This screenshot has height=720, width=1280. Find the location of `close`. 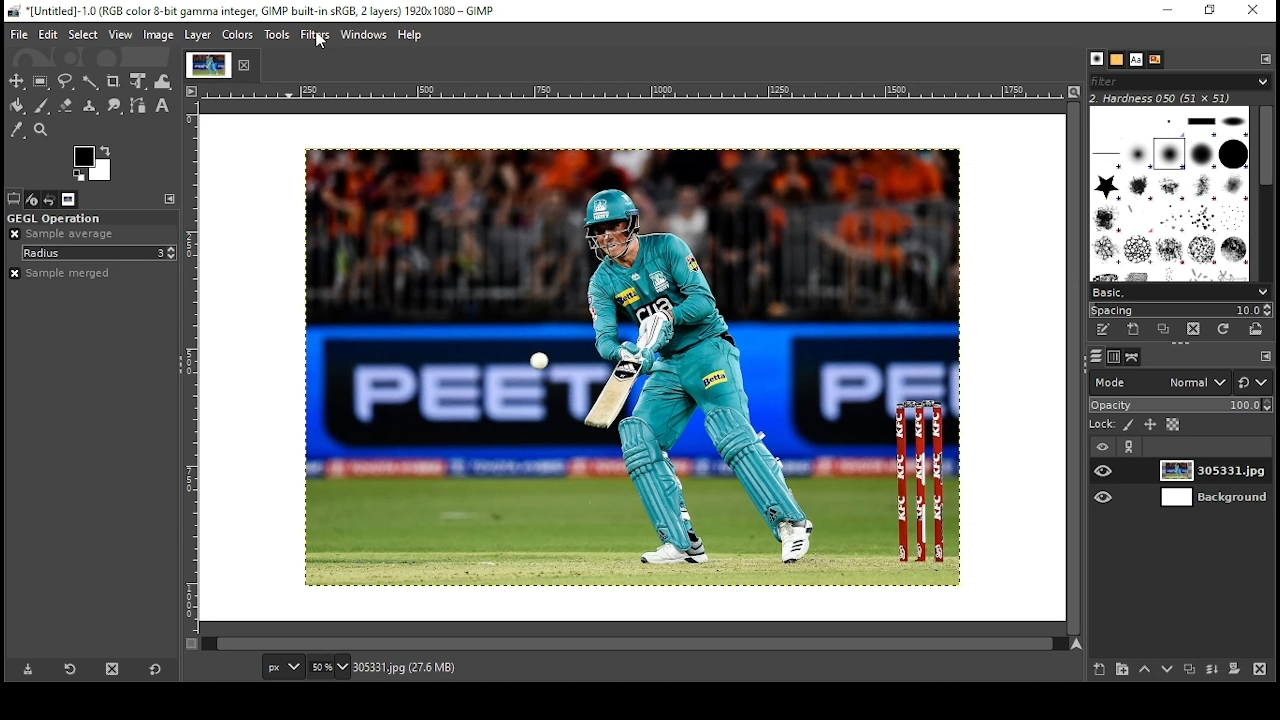

close is located at coordinates (247, 64).